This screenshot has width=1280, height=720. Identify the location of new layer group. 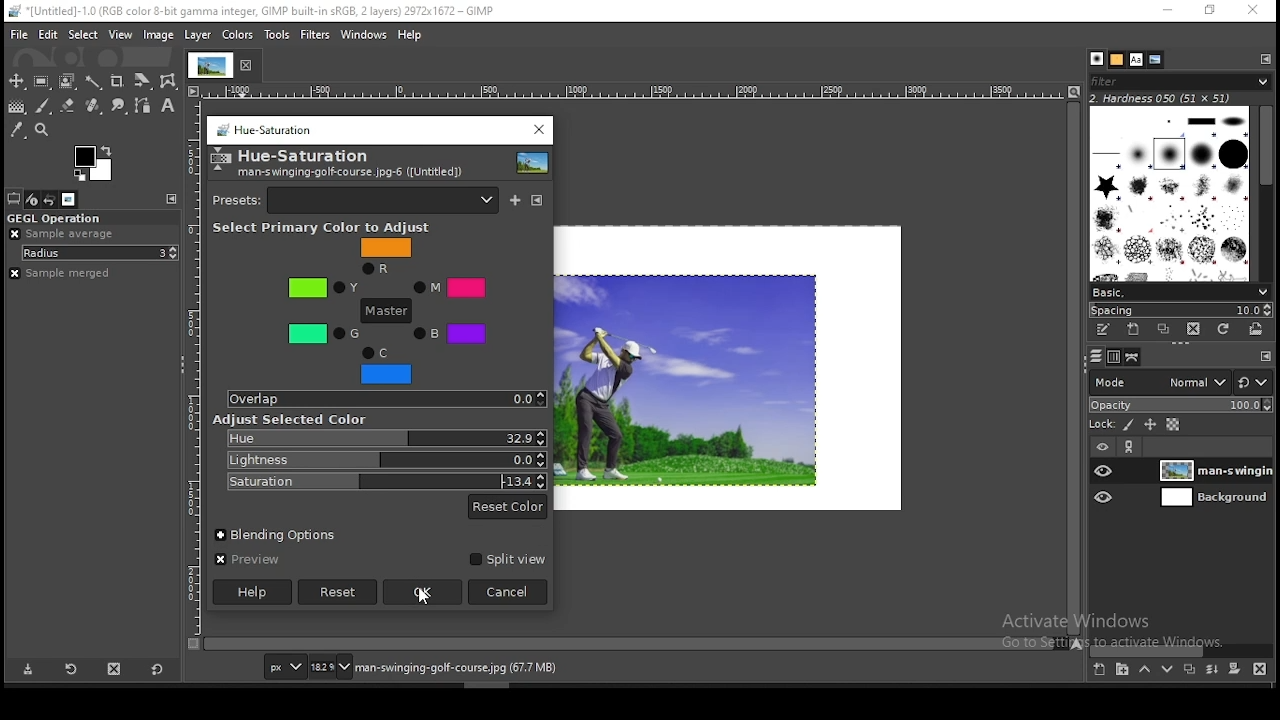
(1124, 670).